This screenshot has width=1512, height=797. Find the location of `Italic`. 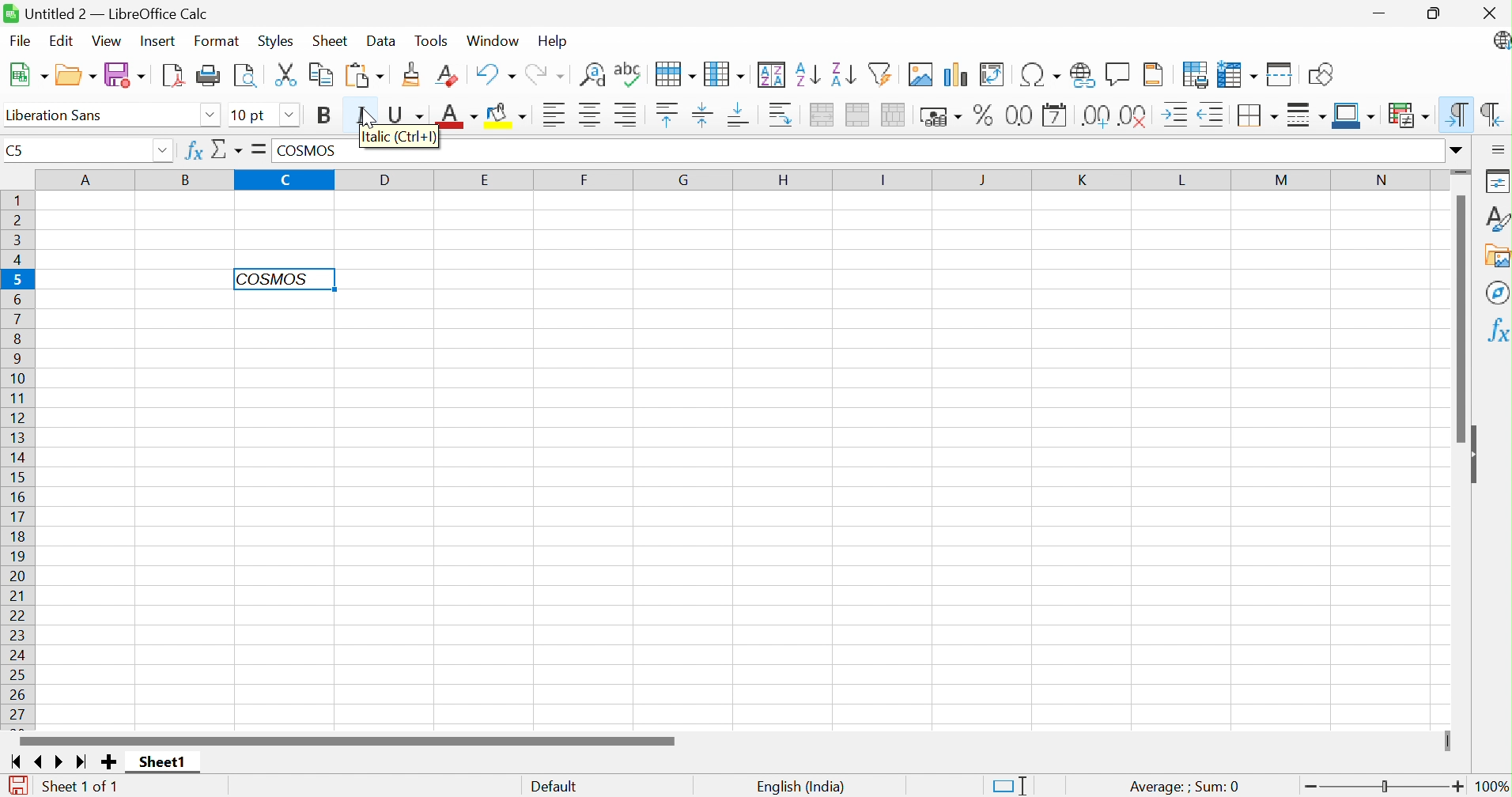

Italic is located at coordinates (365, 111).